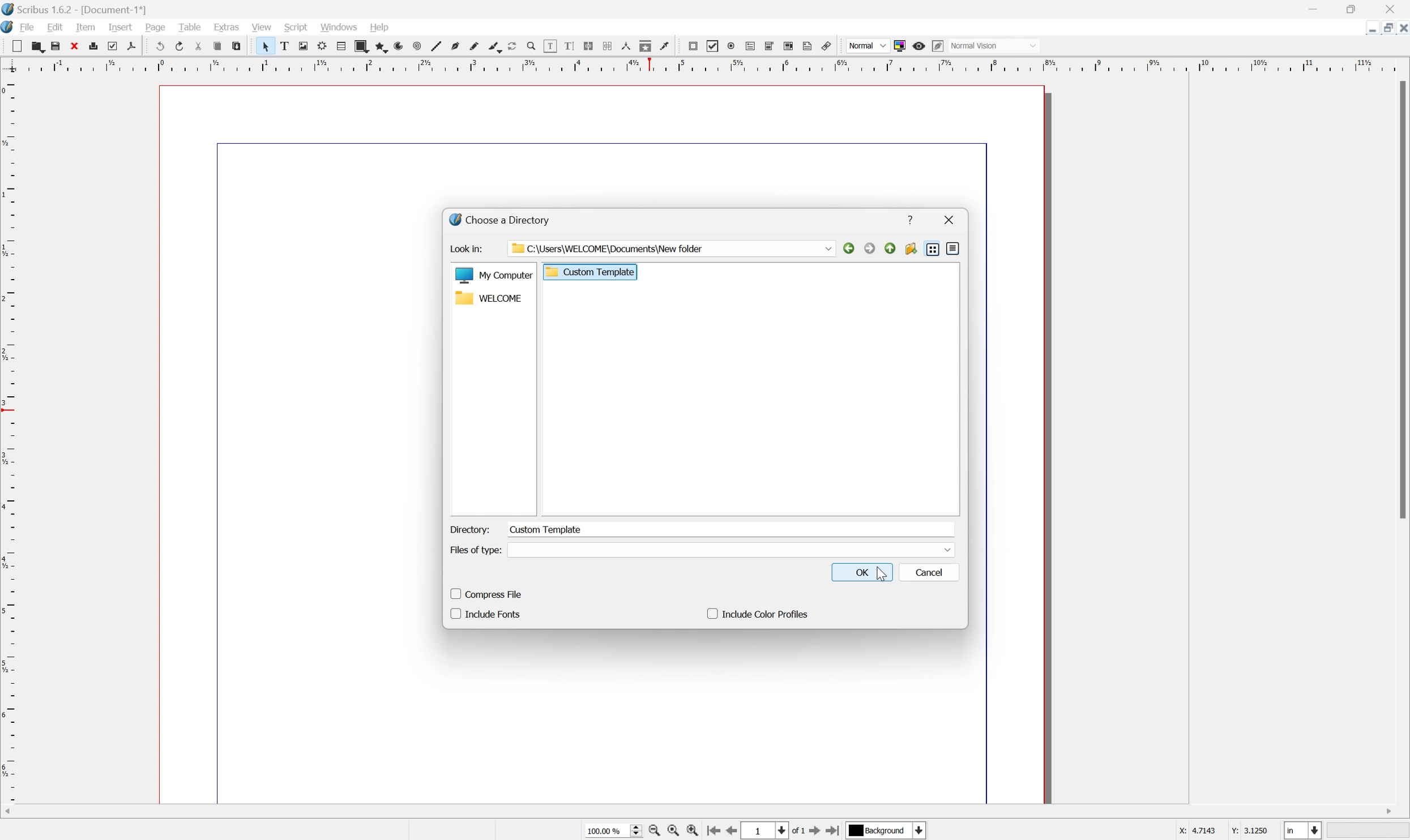  I want to click on redo, so click(177, 45).